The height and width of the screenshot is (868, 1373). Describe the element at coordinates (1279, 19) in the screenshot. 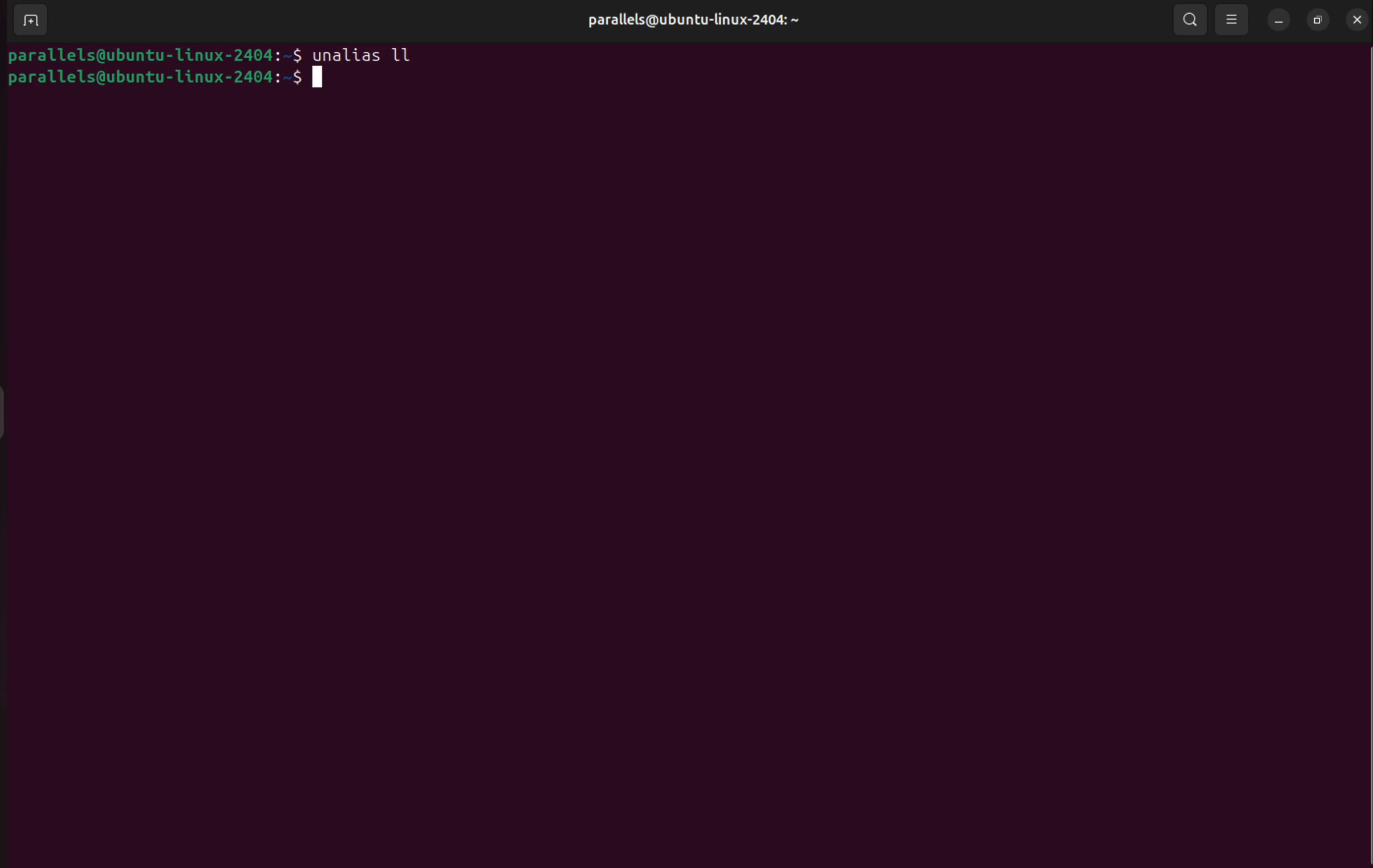

I see `minimize` at that location.